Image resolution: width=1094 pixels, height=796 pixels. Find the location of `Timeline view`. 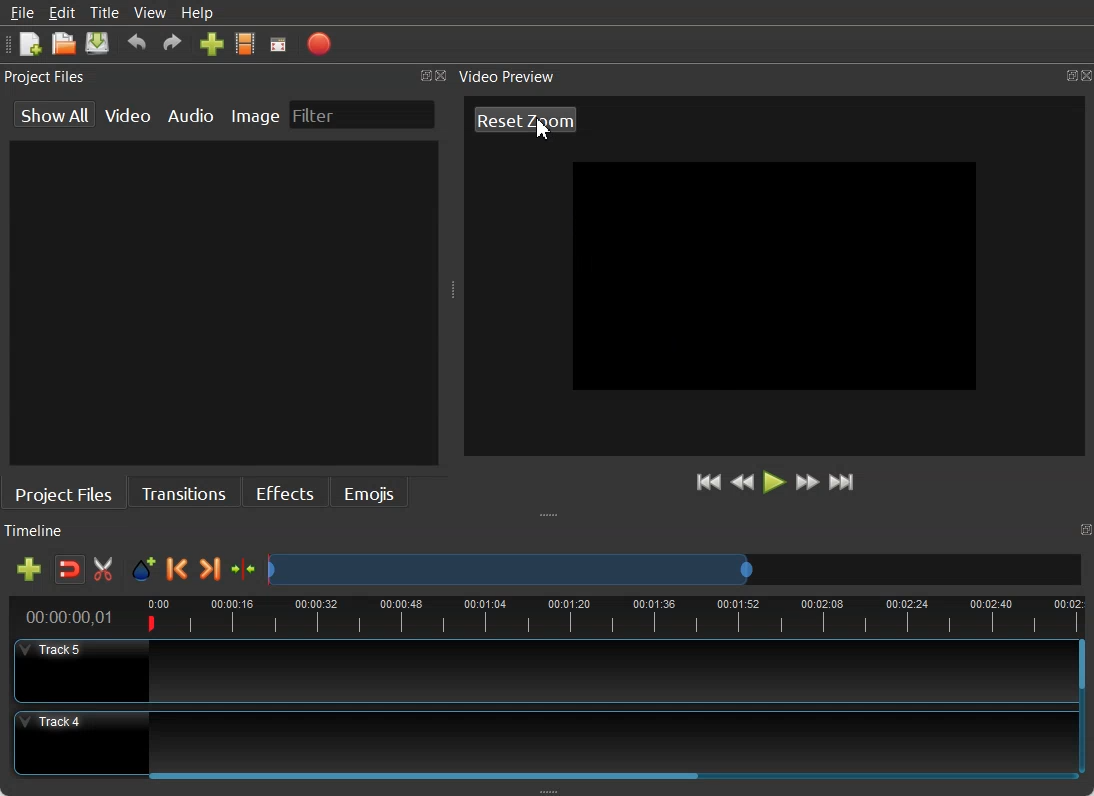

Timeline view is located at coordinates (548, 615).